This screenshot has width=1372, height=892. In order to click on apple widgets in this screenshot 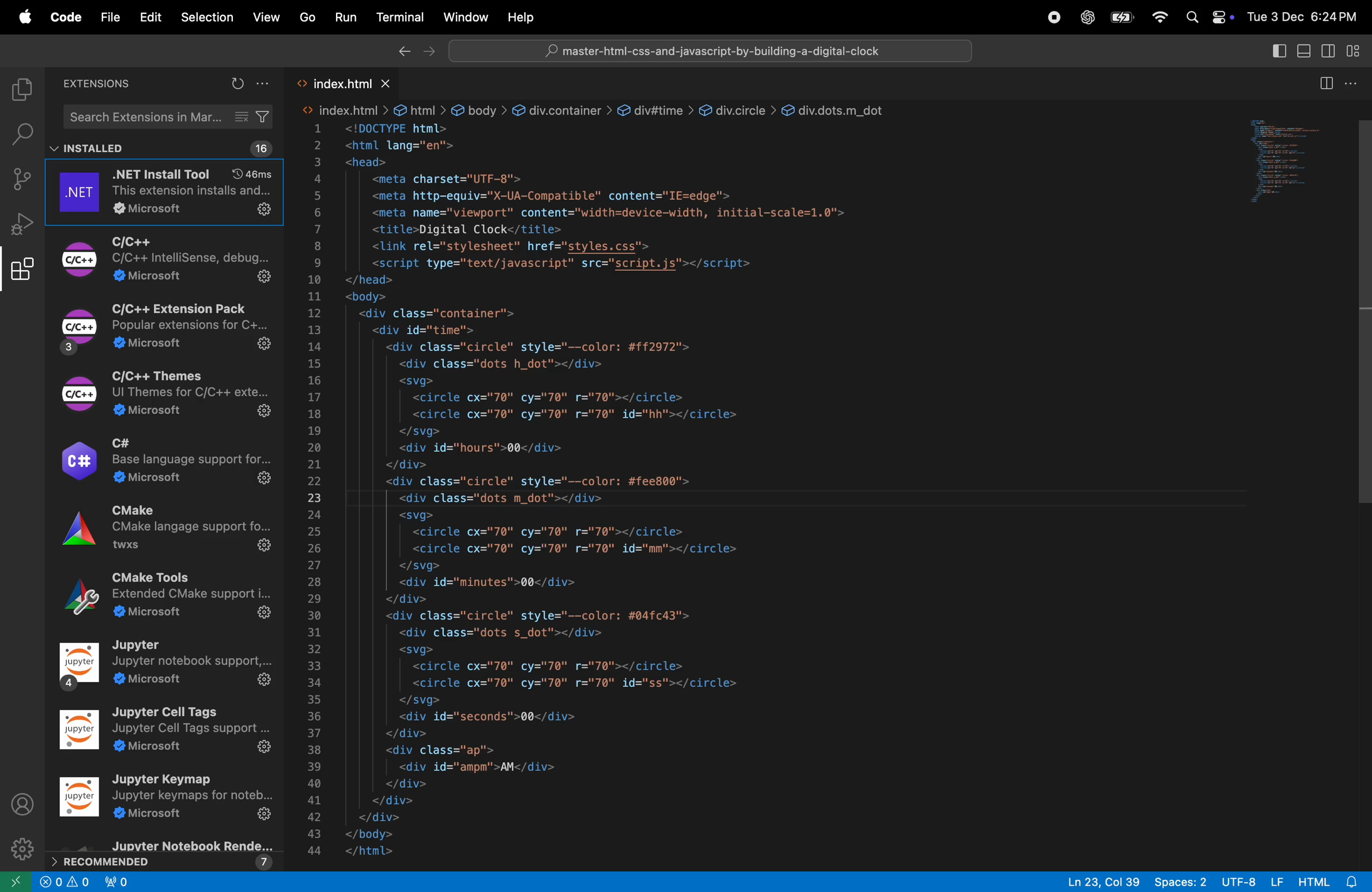, I will do `click(1206, 16)`.